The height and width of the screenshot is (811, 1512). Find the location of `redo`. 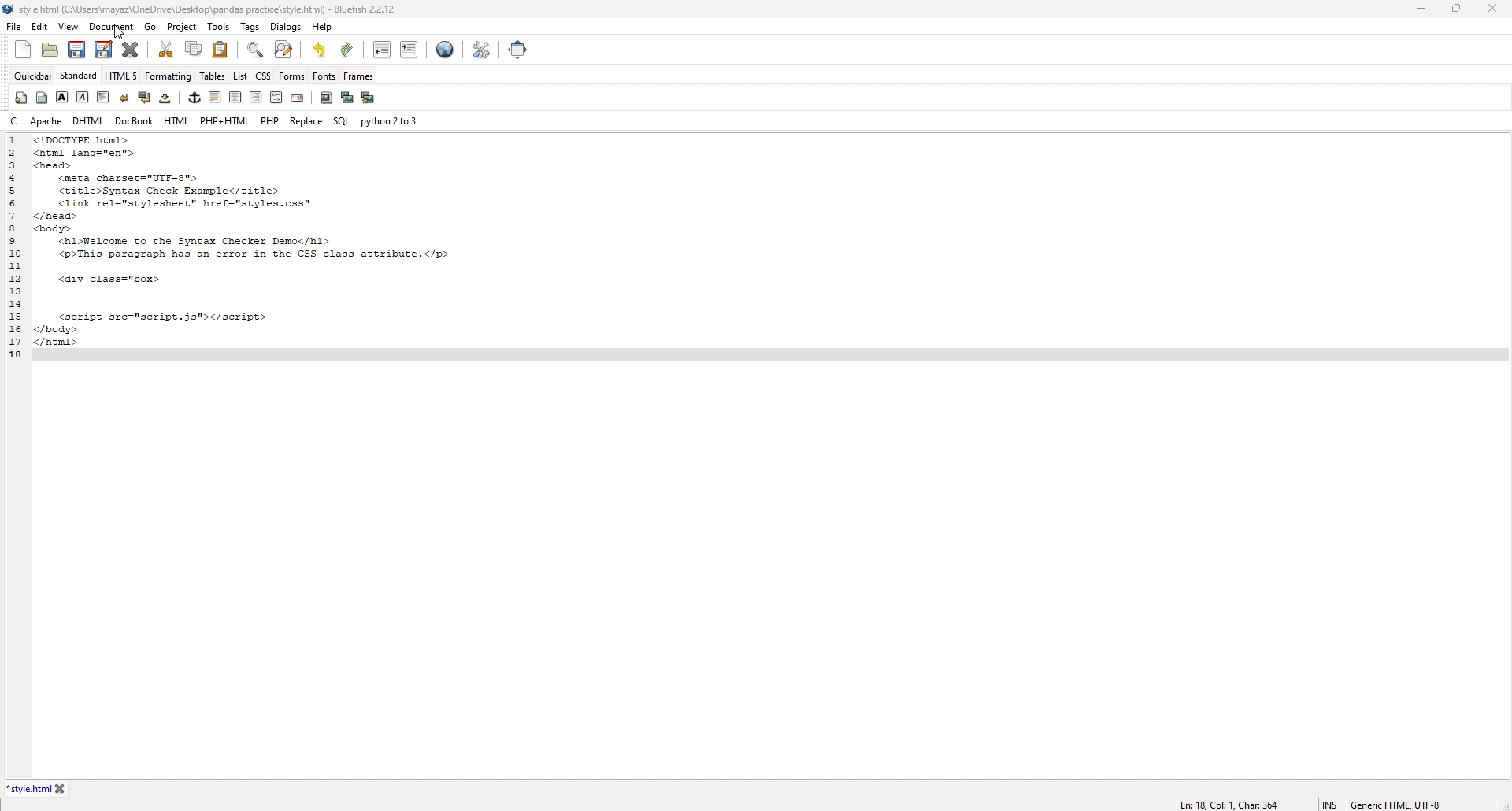

redo is located at coordinates (348, 50).